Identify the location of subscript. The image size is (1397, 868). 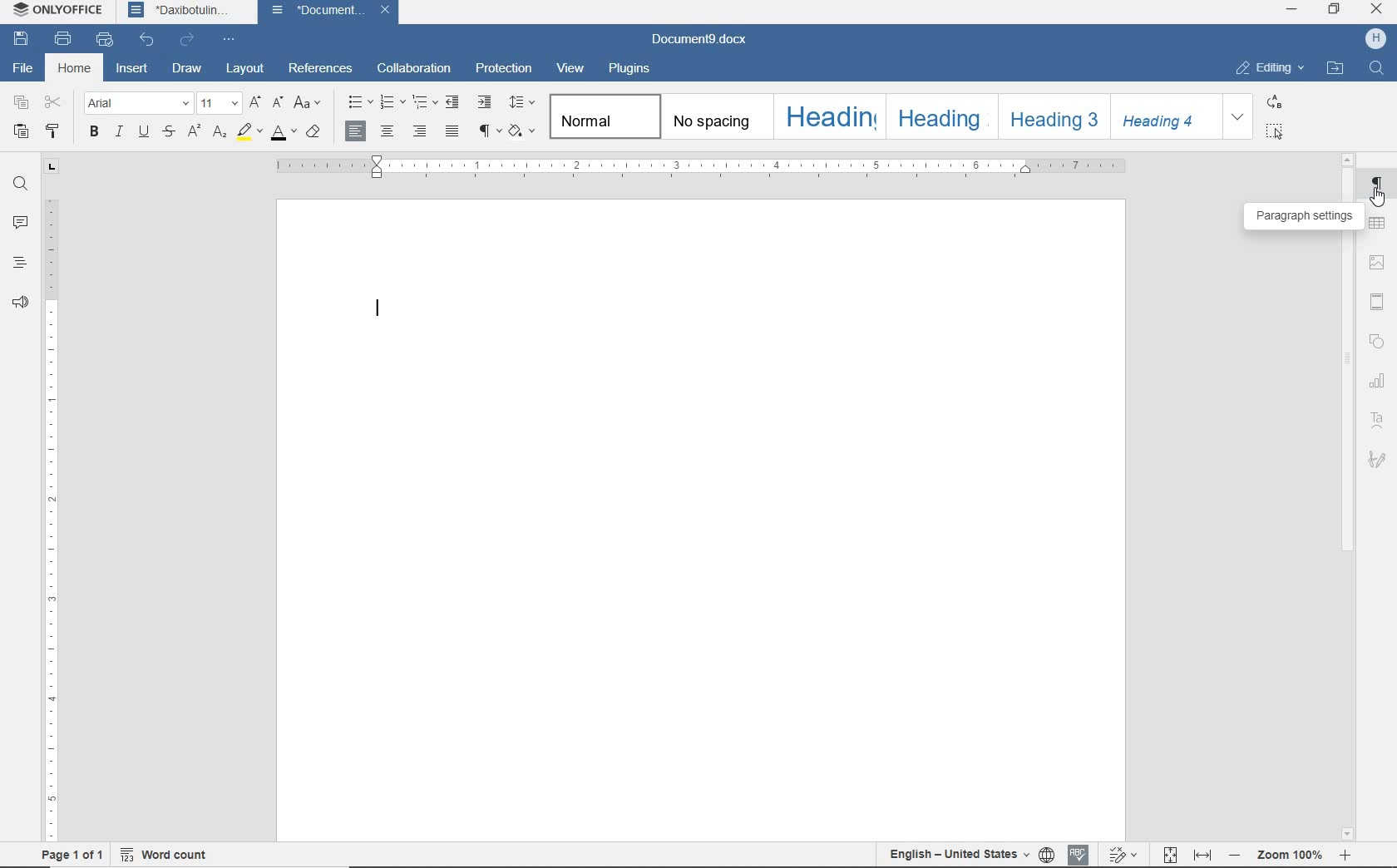
(220, 134).